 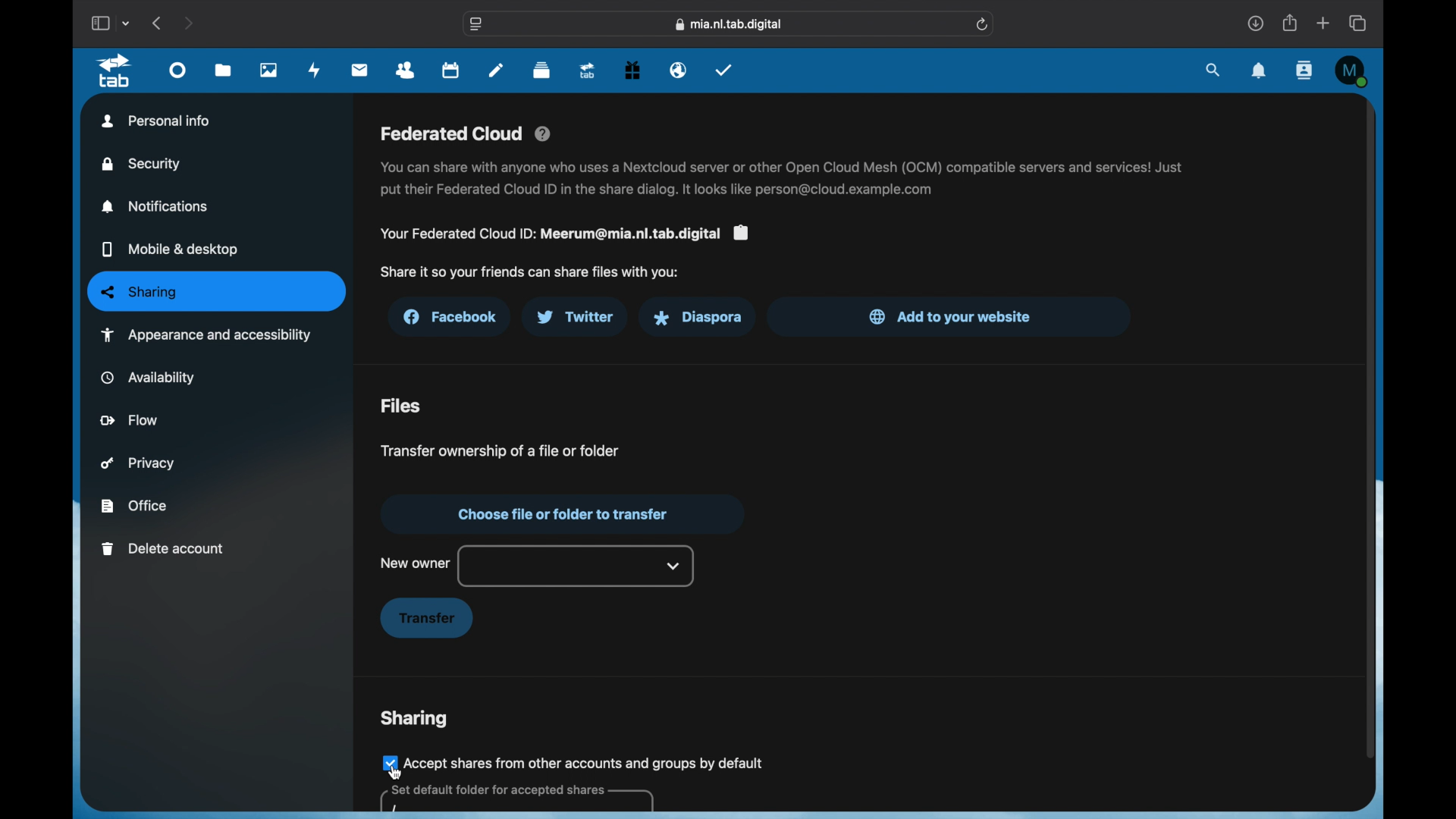 I want to click on mail, so click(x=361, y=70).